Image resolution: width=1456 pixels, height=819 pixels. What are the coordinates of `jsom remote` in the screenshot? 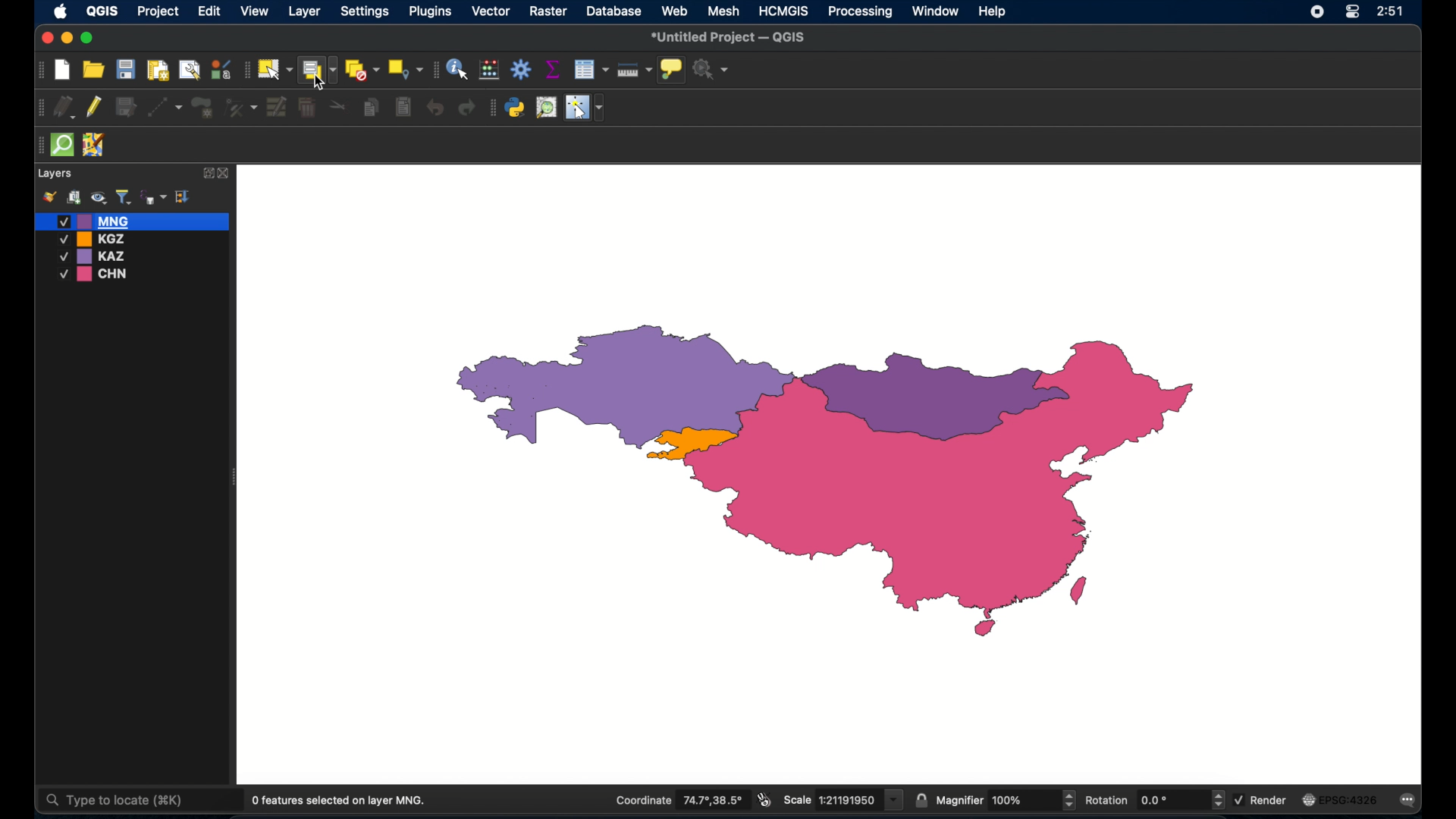 It's located at (96, 146).